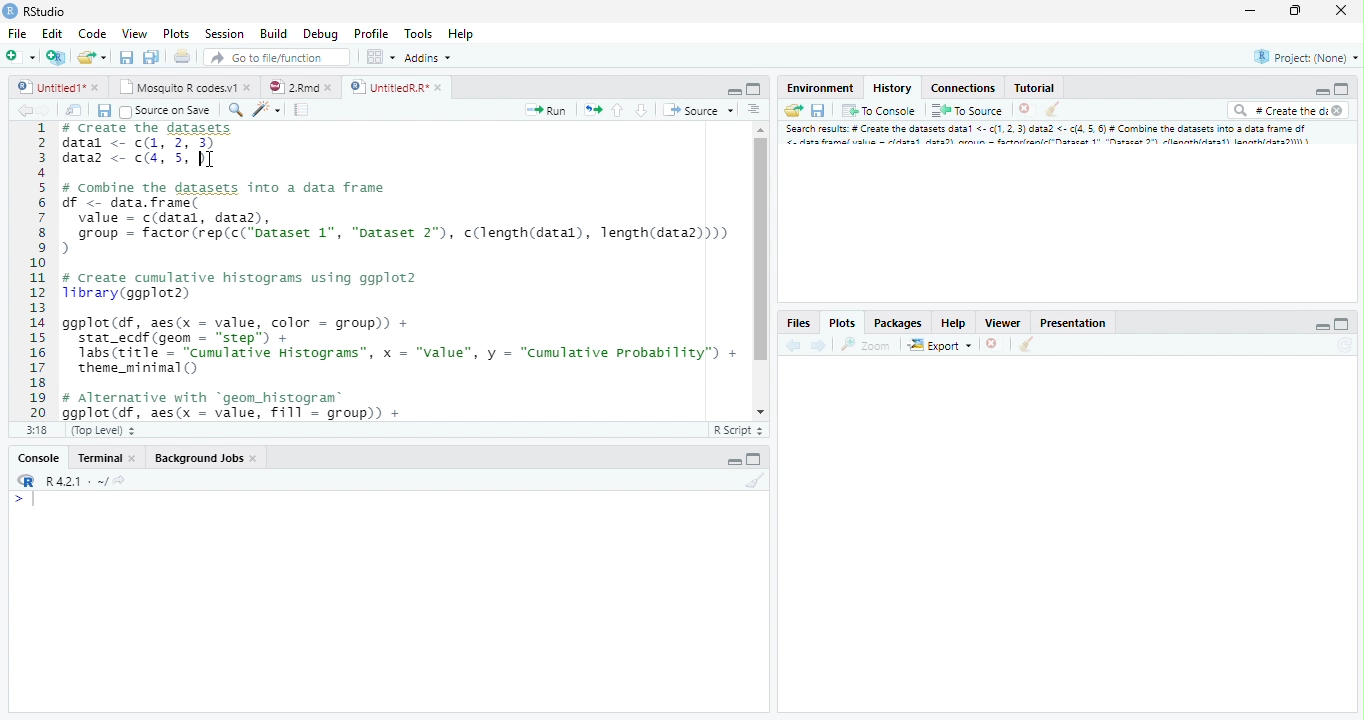 The width and height of the screenshot is (1364, 720). What do you see at coordinates (1052, 137) in the screenshot?
I see `Search result # create dataset data..` at bounding box center [1052, 137].